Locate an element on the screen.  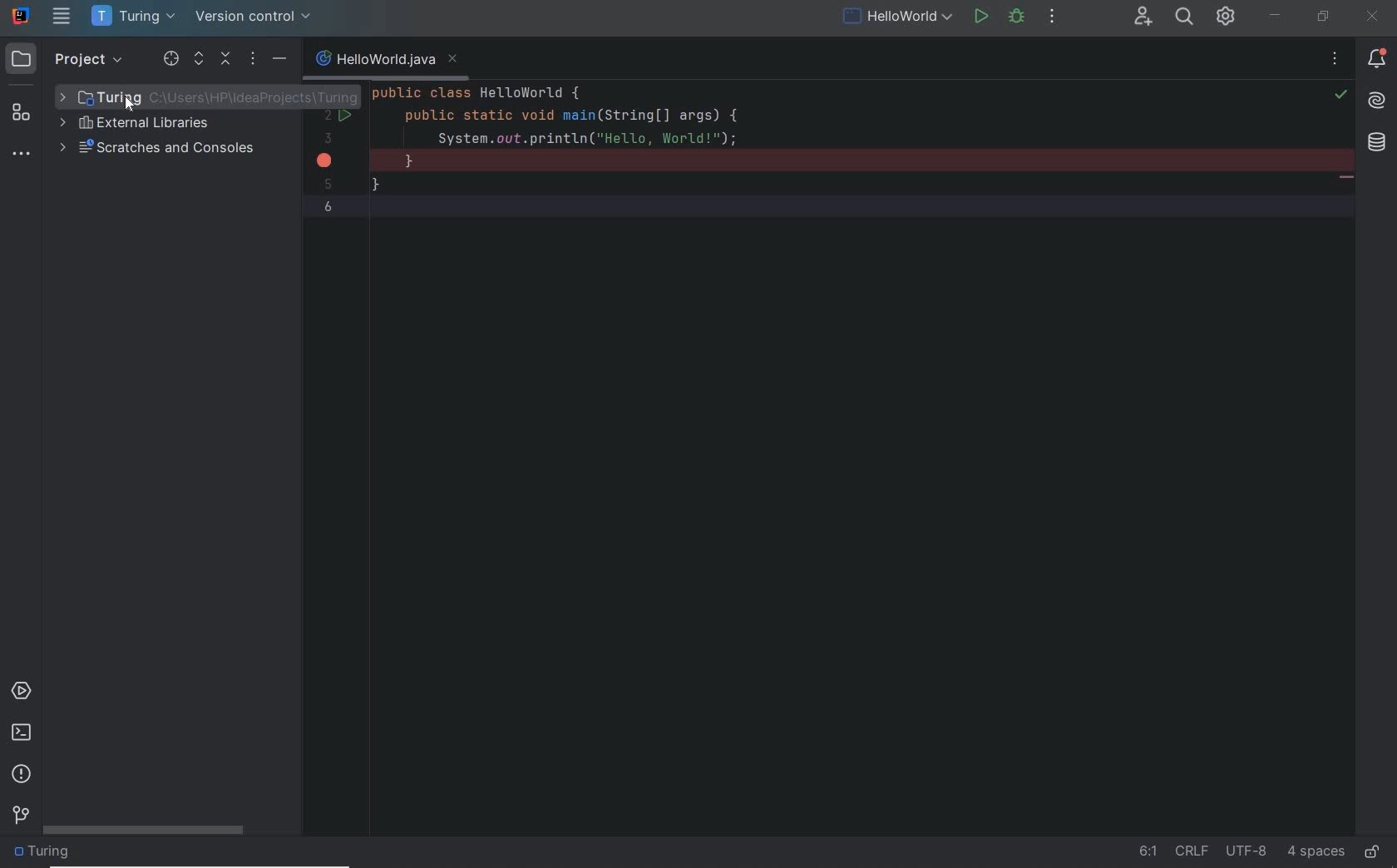
search everywhere is located at coordinates (1185, 18).